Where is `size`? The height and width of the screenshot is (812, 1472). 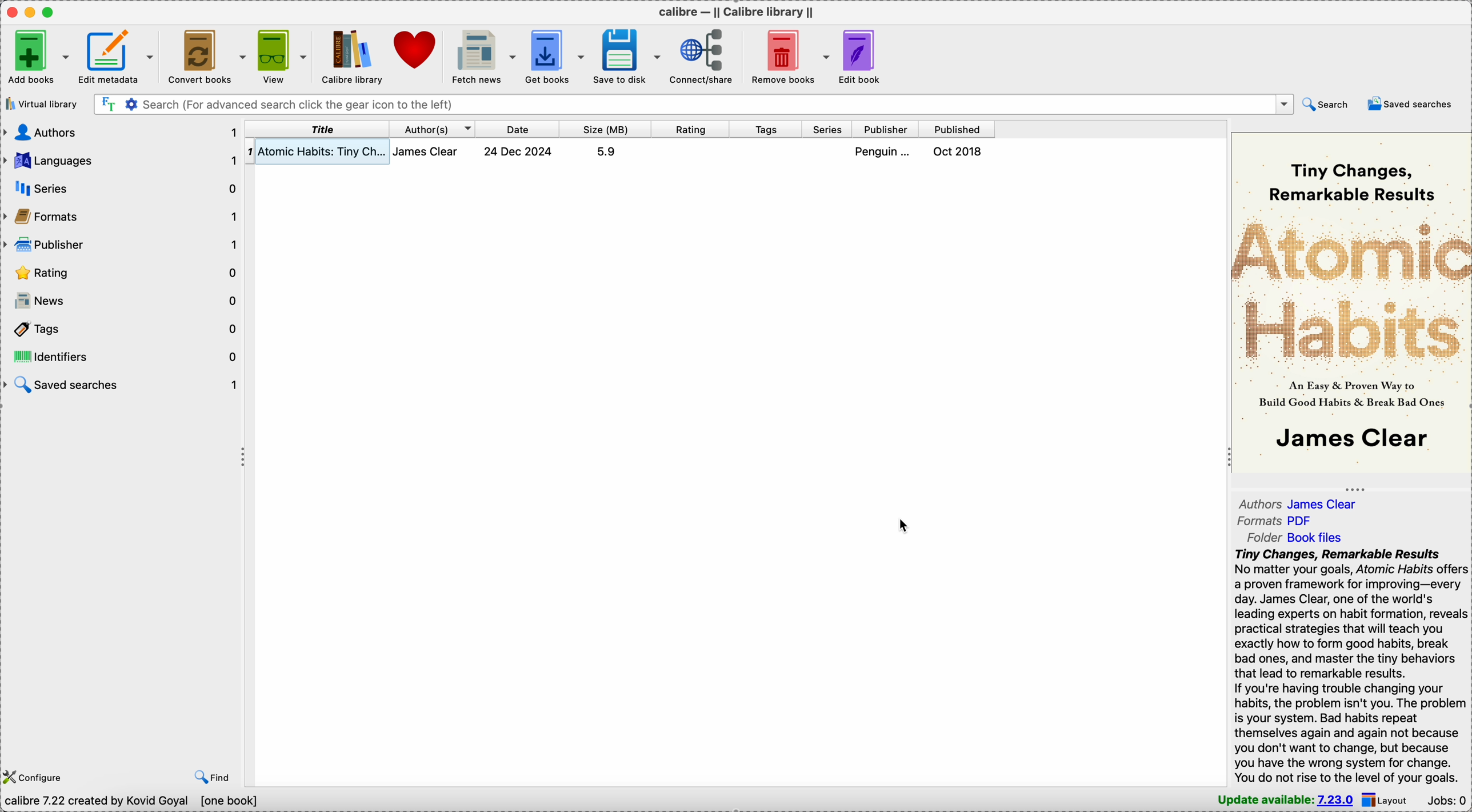 size is located at coordinates (606, 129).